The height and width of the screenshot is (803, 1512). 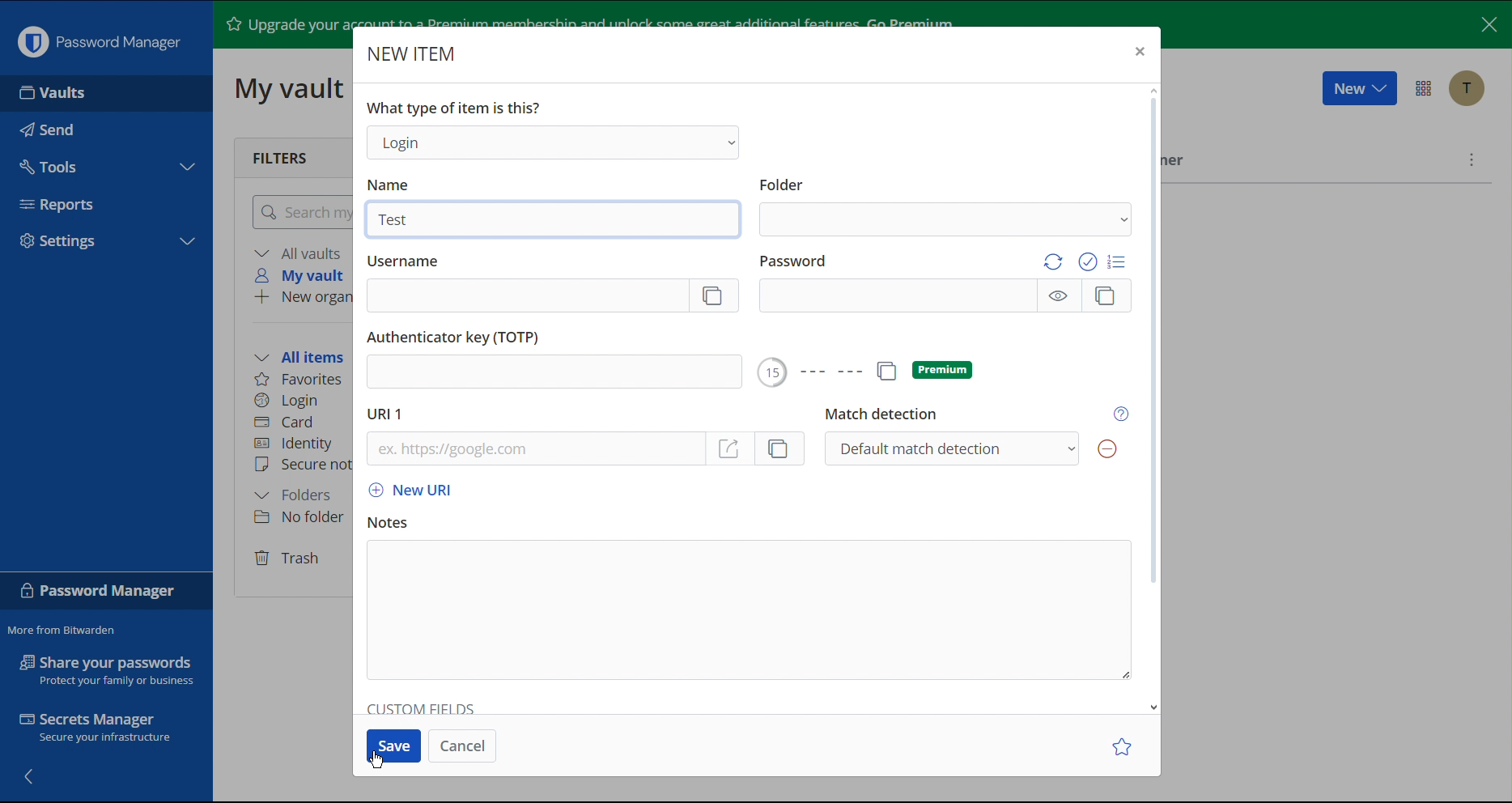 What do you see at coordinates (379, 763) in the screenshot?
I see `Cursor` at bounding box center [379, 763].